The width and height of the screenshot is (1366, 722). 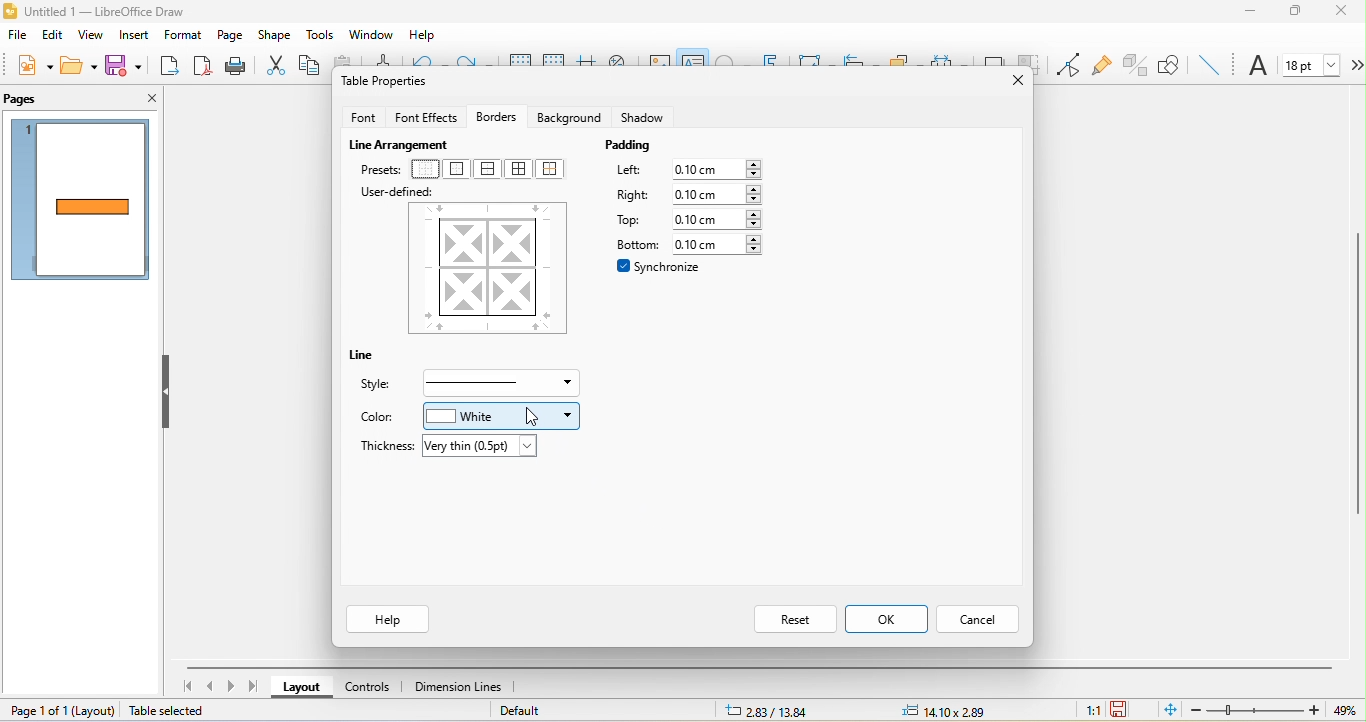 What do you see at coordinates (168, 395) in the screenshot?
I see `hide` at bounding box center [168, 395].